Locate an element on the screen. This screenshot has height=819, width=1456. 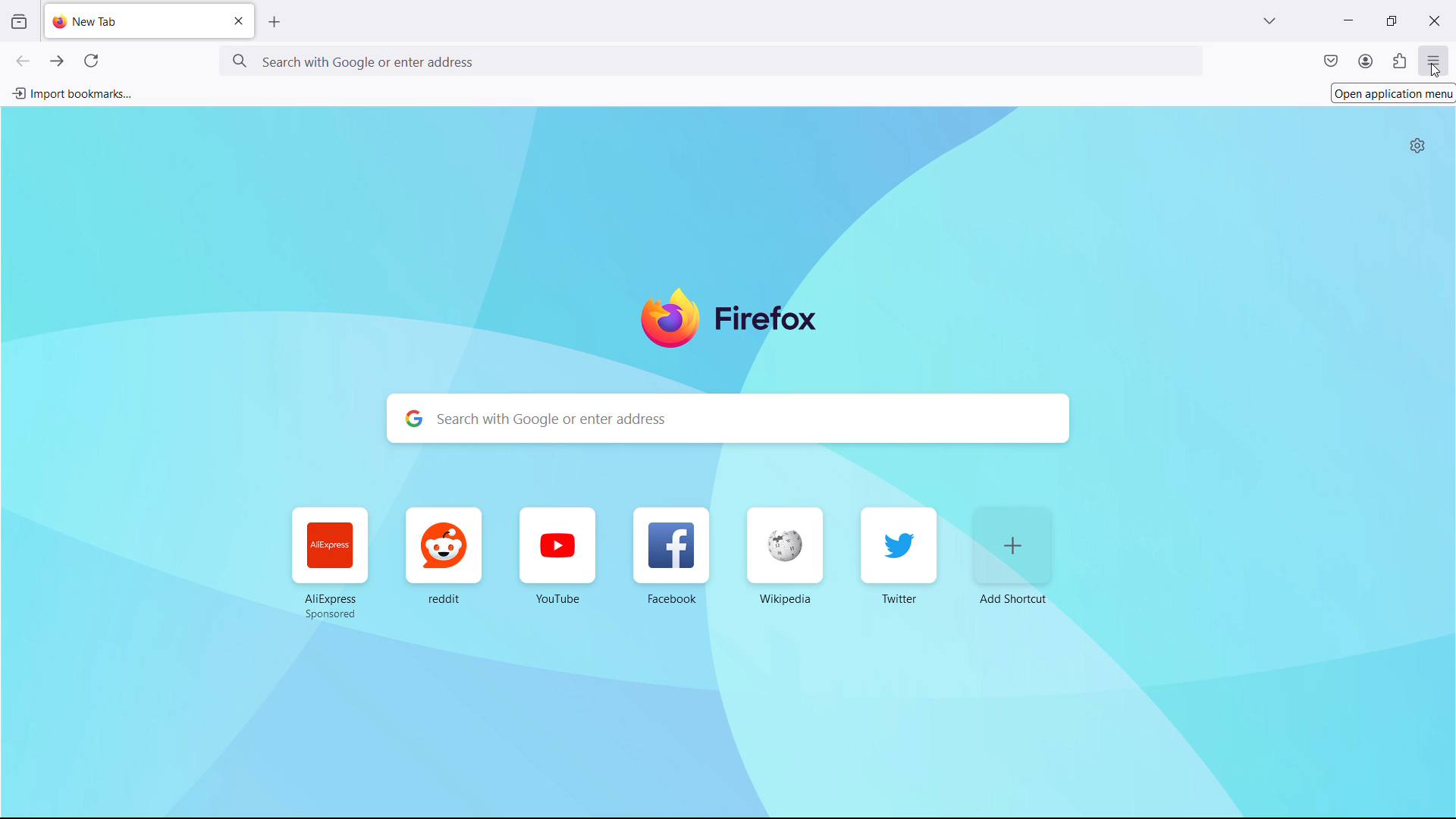
Wikipedia is located at coordinates (781, 557).